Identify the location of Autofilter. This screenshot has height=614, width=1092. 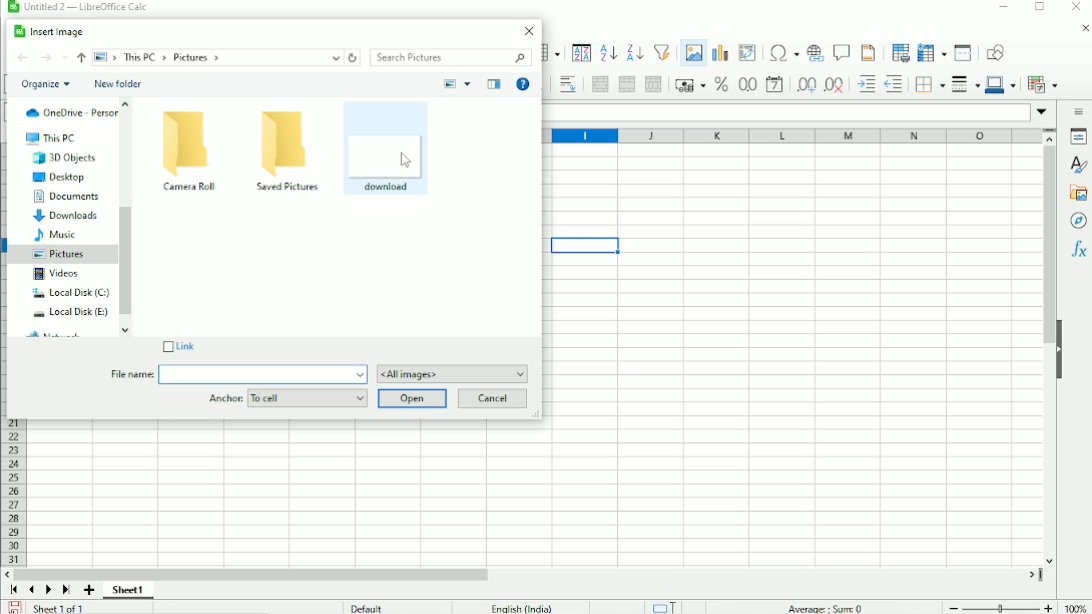
(661, 51).